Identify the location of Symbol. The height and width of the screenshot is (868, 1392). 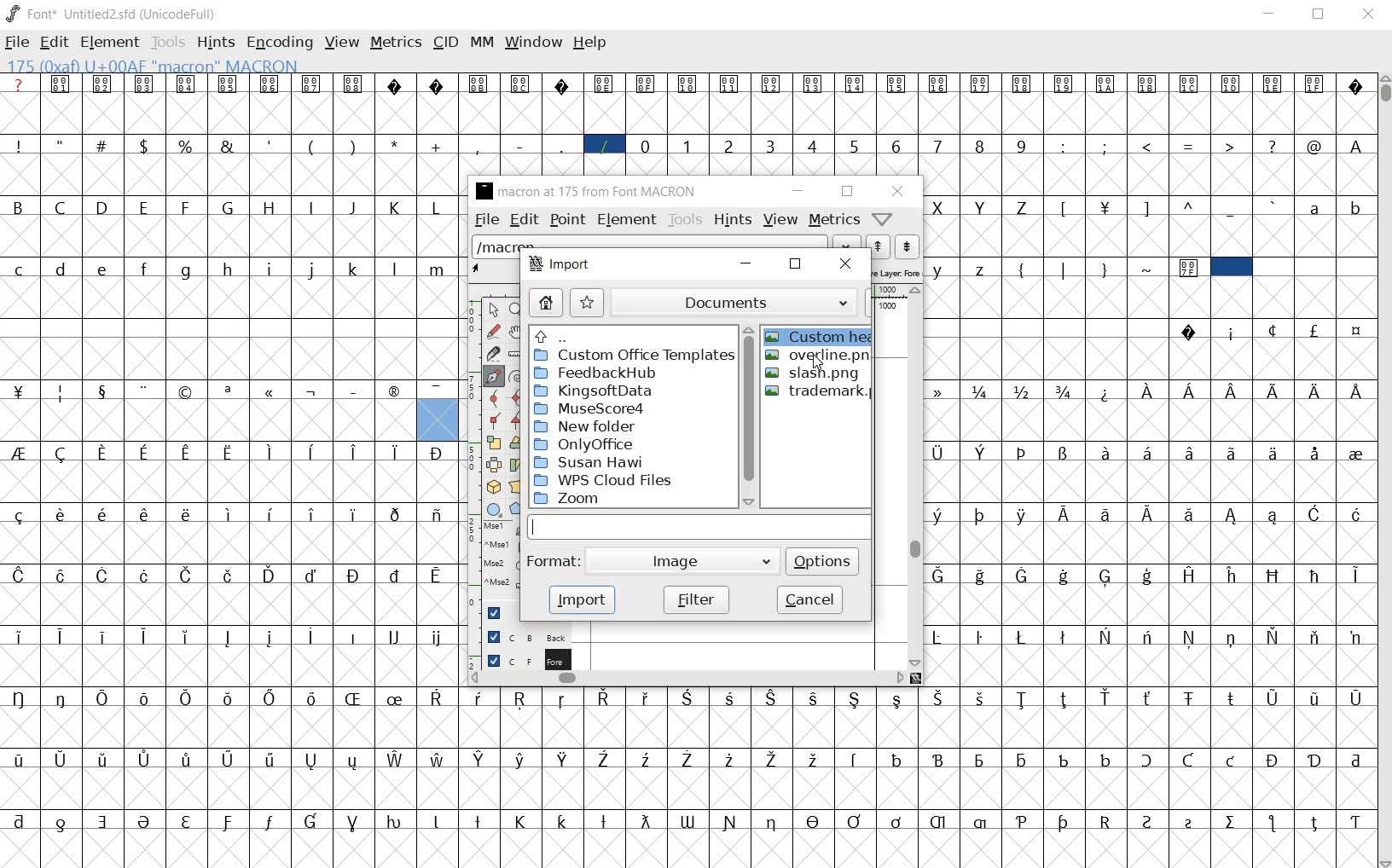
(1356, 453).